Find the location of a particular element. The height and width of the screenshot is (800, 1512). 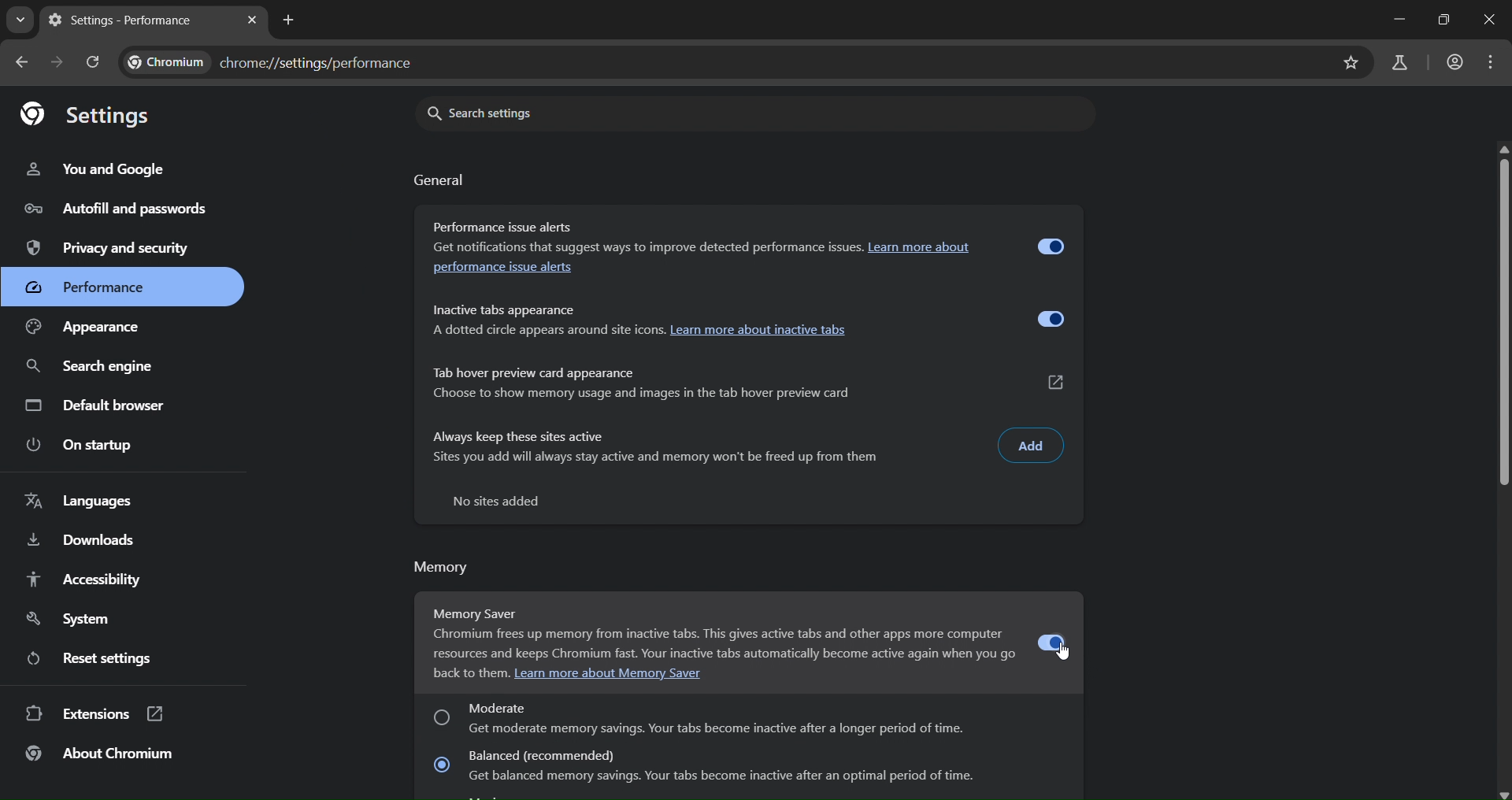

General is located at coordinates (439, 183).